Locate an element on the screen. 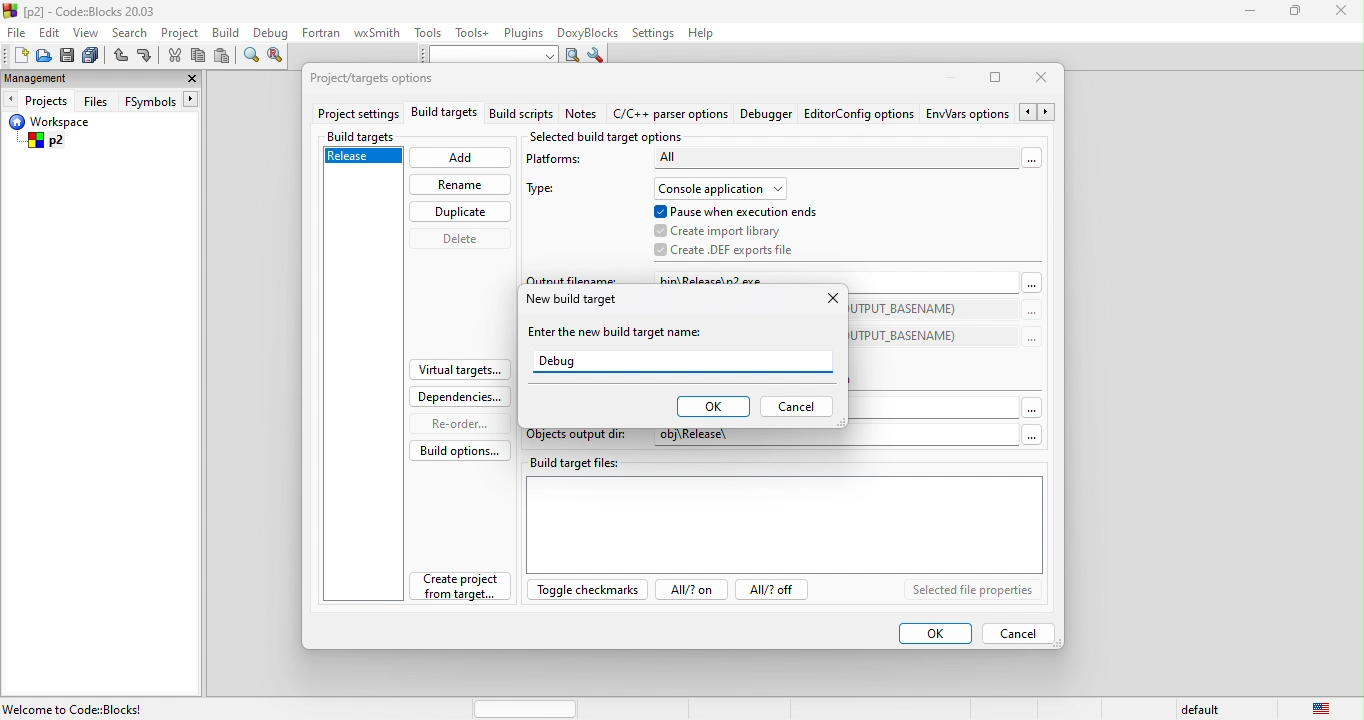  build targets is located at coordinates (377, 134).